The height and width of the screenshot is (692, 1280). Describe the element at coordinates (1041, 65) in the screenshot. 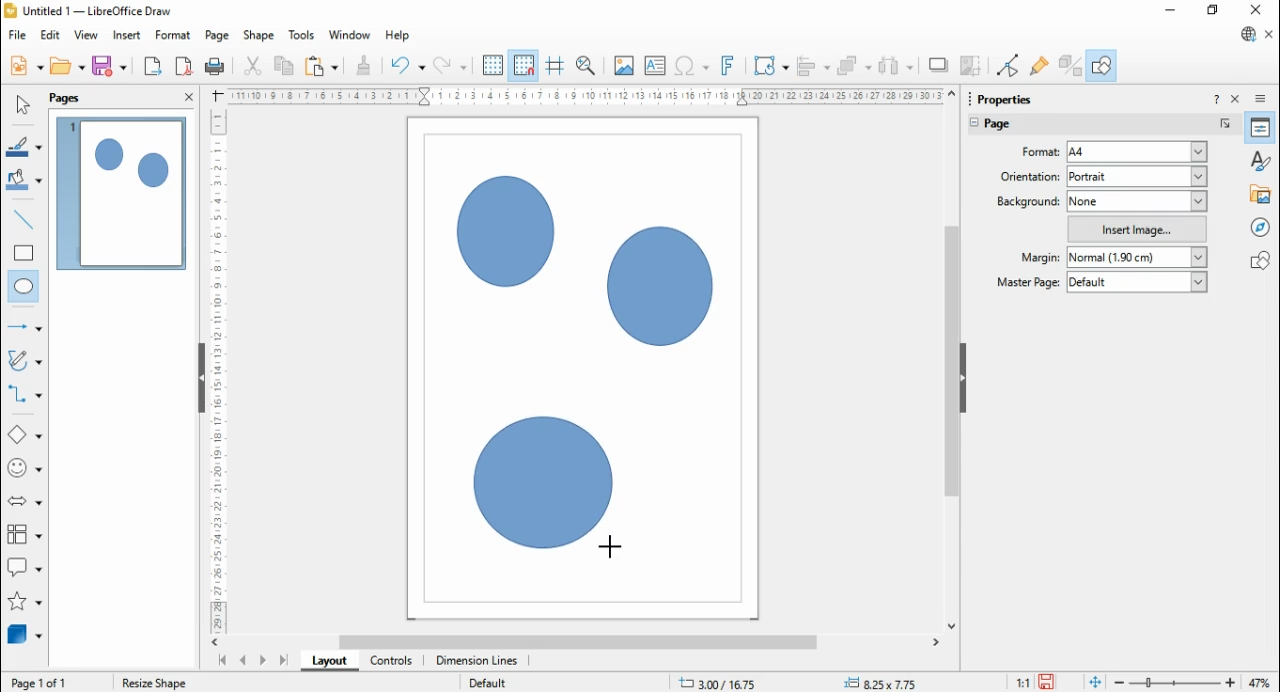

I see `show glue point functions` at that location.